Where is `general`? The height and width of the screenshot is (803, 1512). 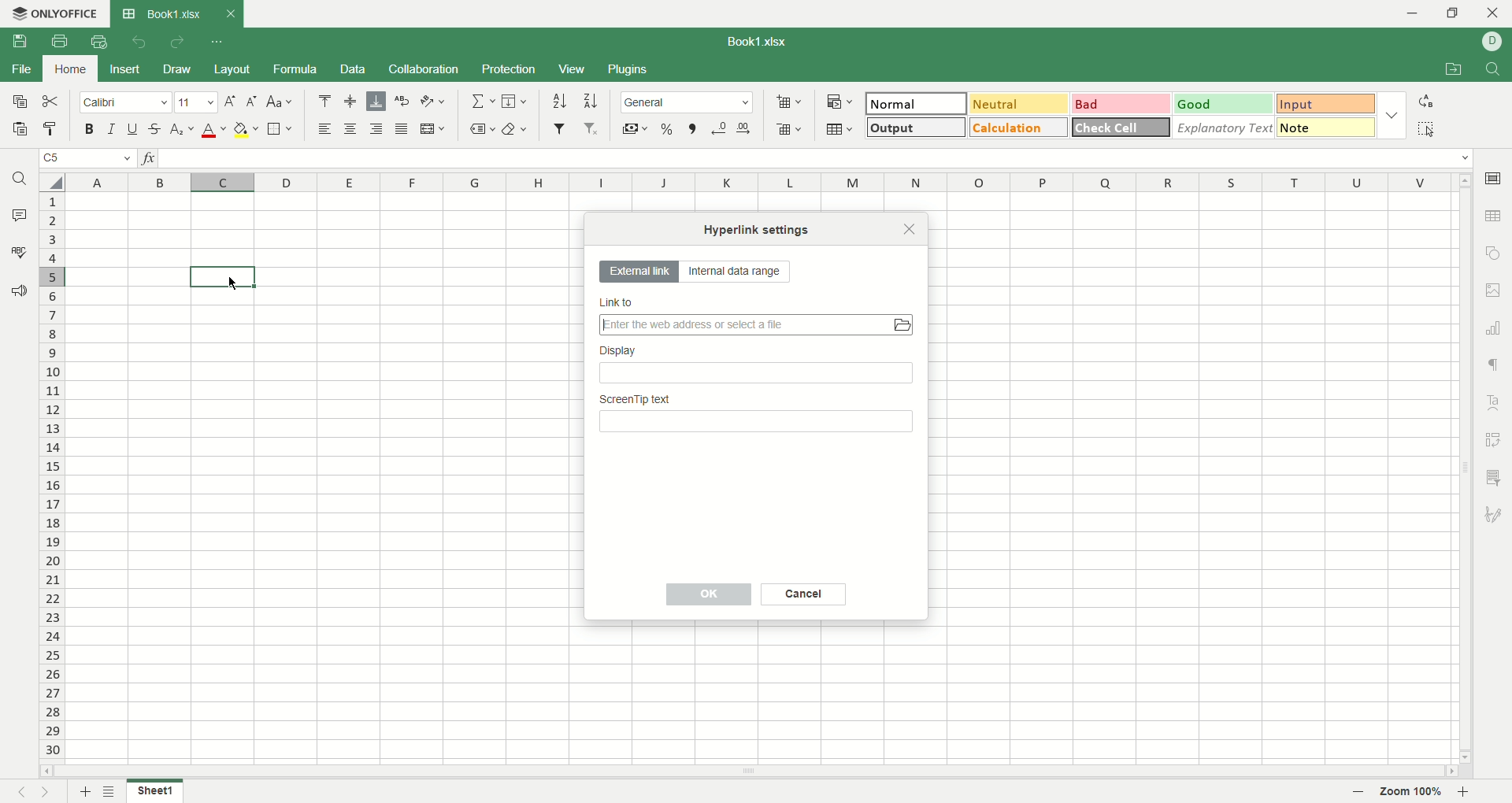
general is located at coordinates (688, 102).